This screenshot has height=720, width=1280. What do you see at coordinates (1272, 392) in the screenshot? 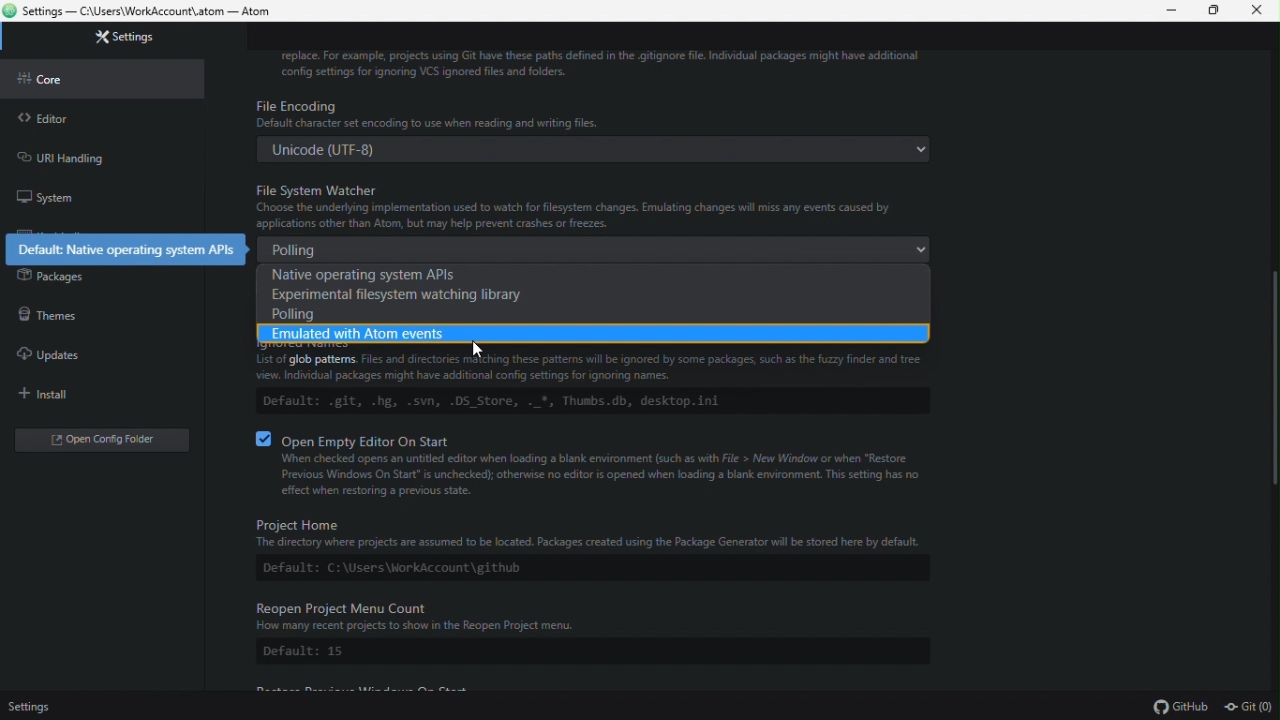
I see `scroll bar` at bounding box center [1272, 392].